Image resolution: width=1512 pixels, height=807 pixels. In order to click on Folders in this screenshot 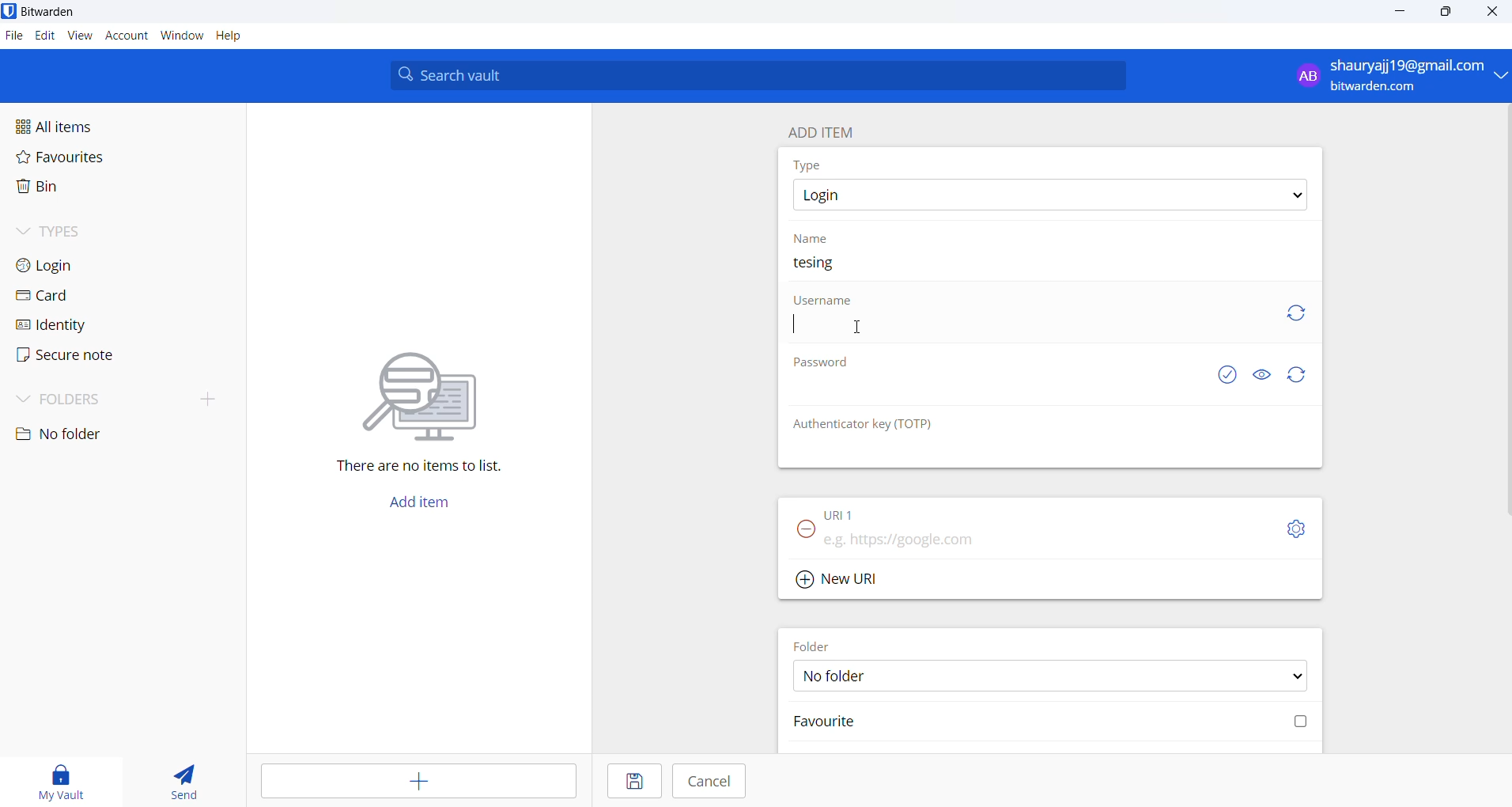, I will do `click(81, 396)`.